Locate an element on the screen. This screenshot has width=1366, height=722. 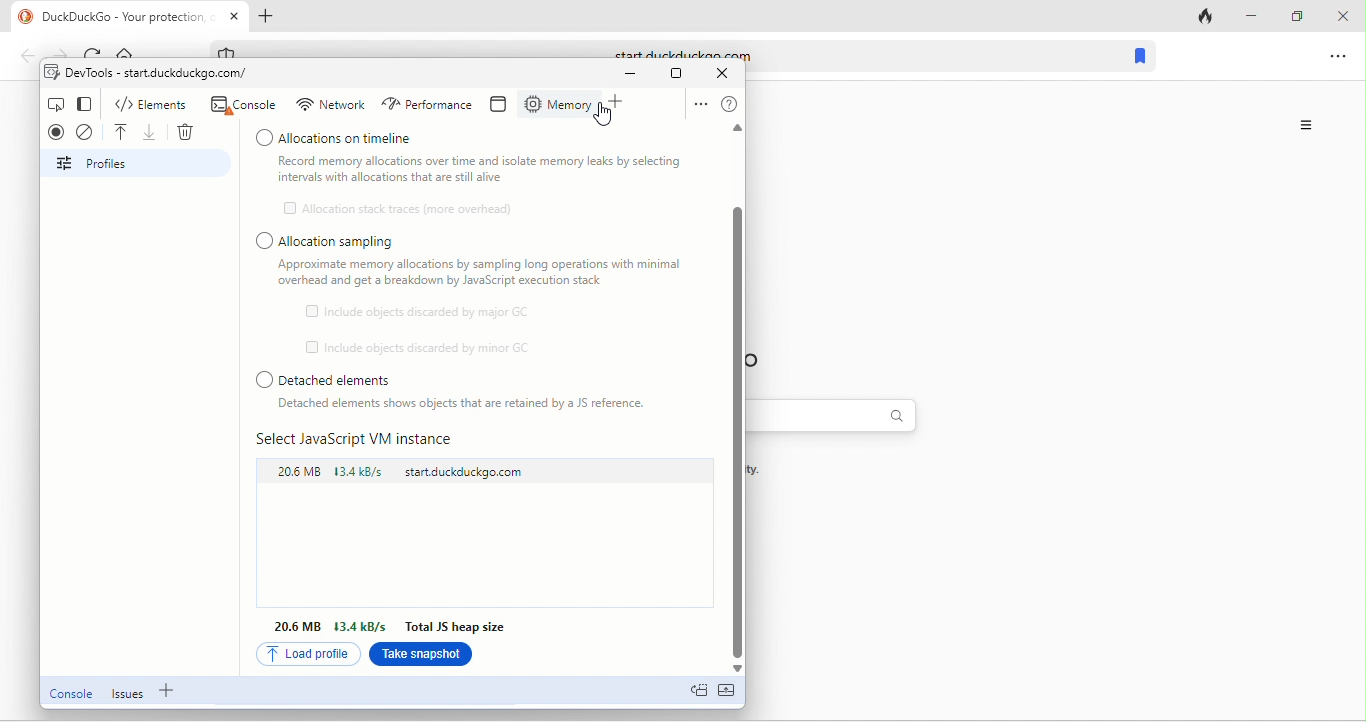
clear is located at coordinates (88, 132).